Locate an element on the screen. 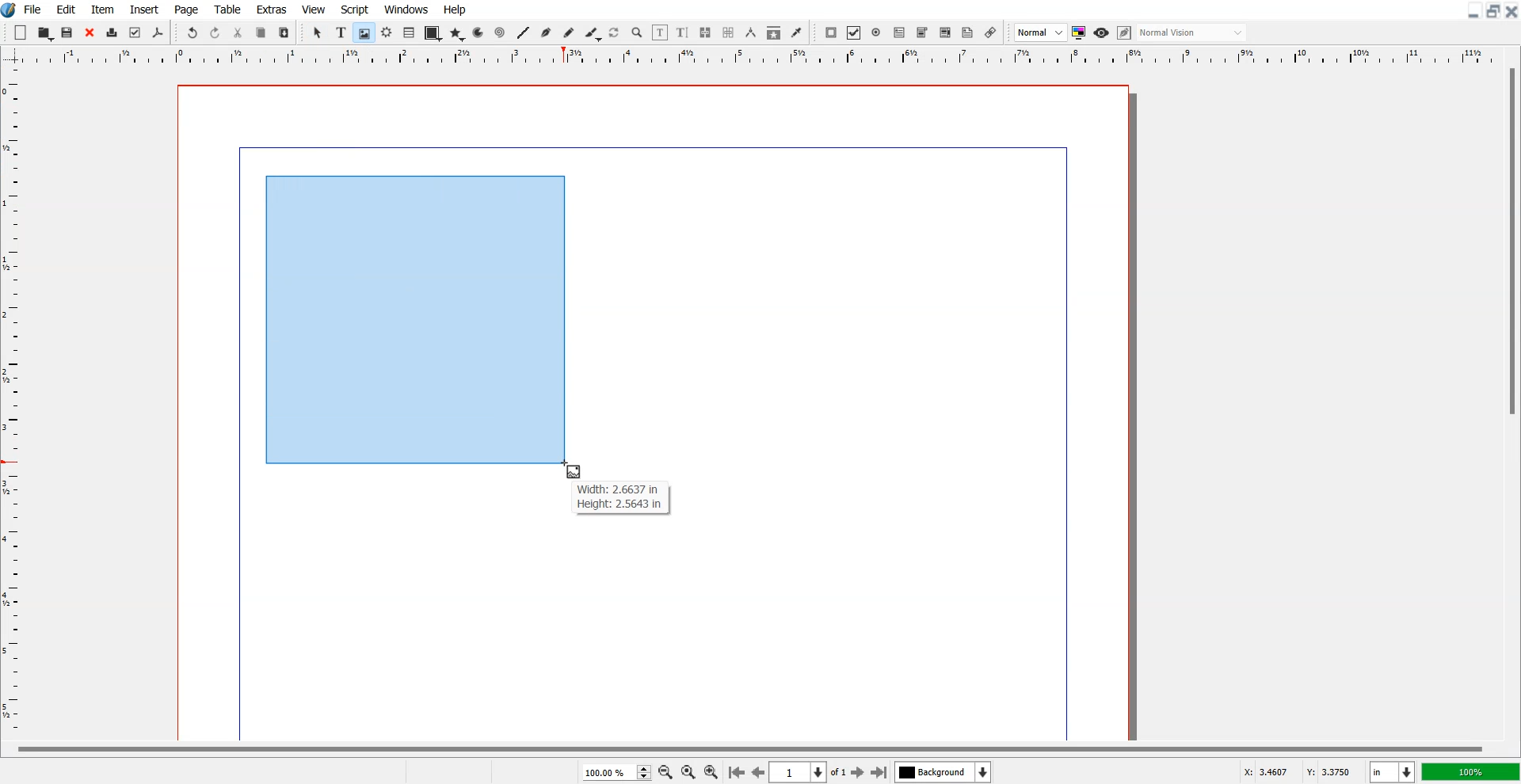 The image size is (1521, 784). Image Frame is located at coordinates (364, 32).